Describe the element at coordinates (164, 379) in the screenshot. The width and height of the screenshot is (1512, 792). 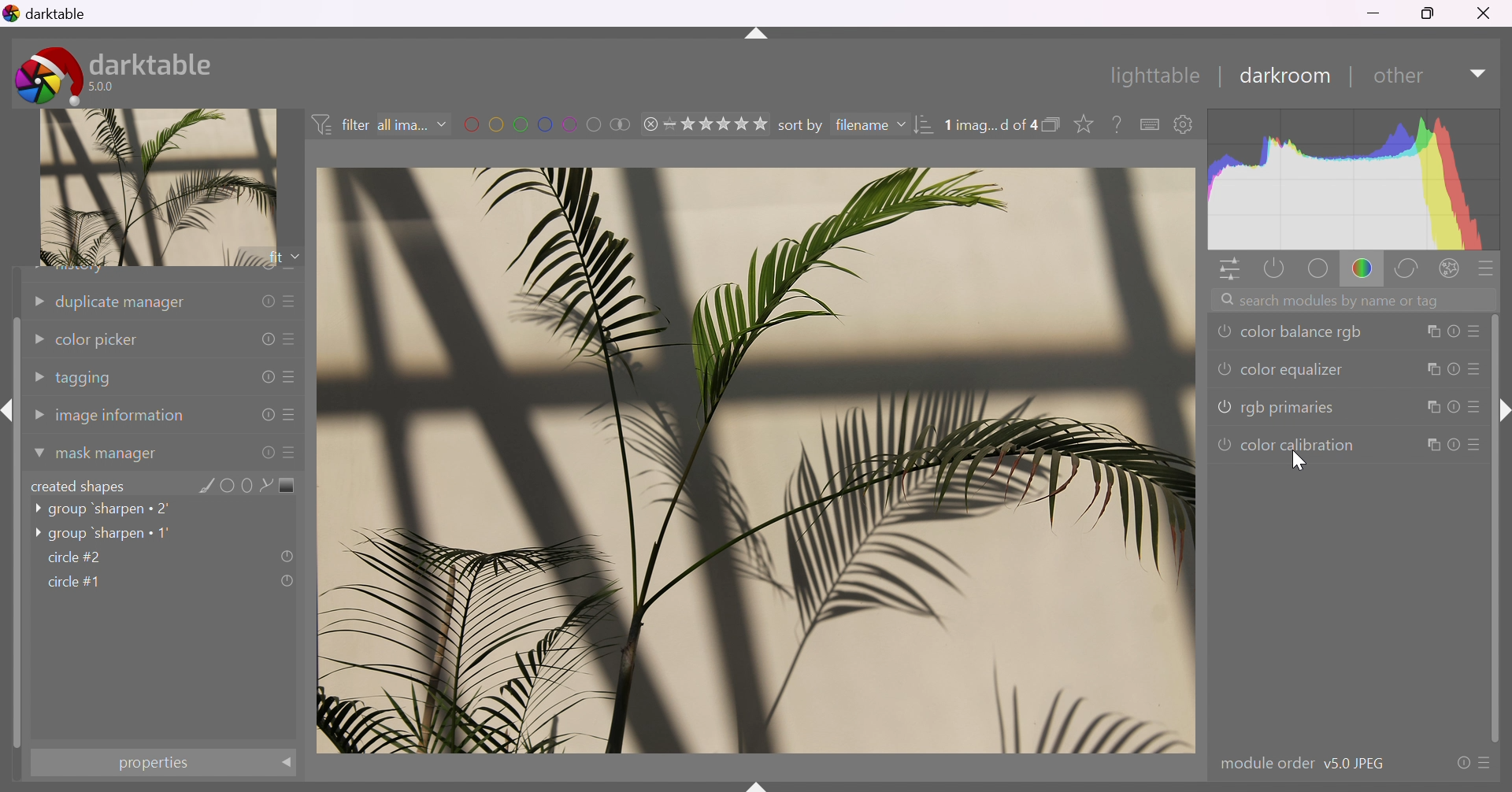
I see `tagging` at that location.